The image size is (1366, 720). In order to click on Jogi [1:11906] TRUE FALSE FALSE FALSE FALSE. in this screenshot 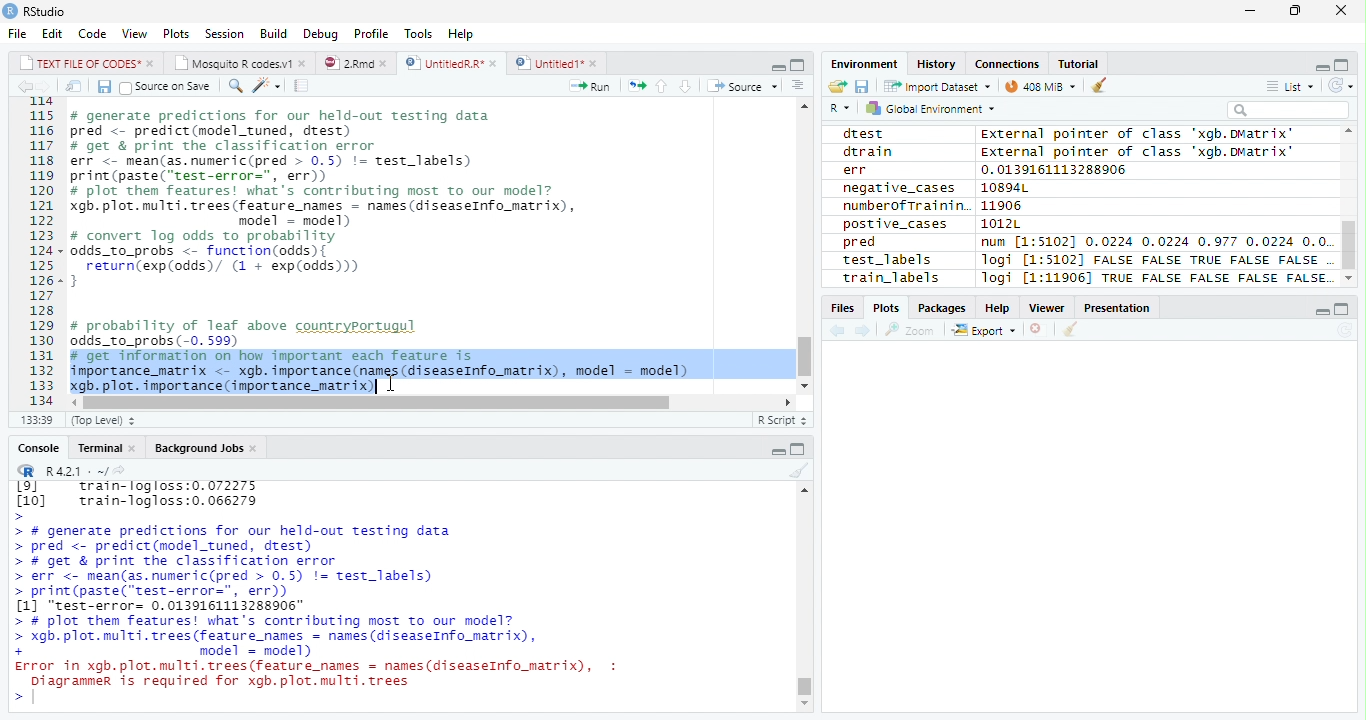, I will do `click(1155, 278)`.